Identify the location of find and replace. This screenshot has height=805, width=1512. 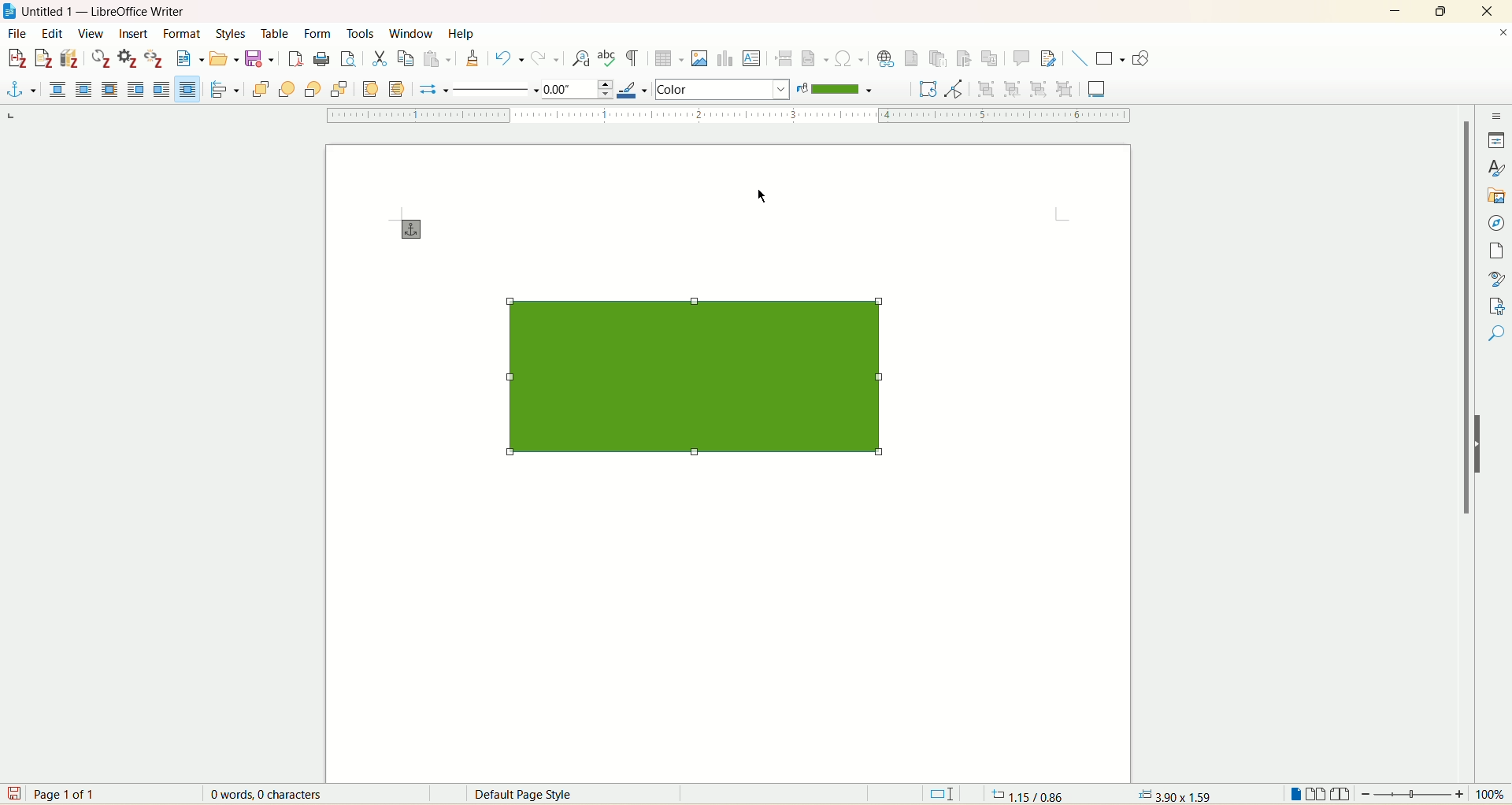
(580, 58).